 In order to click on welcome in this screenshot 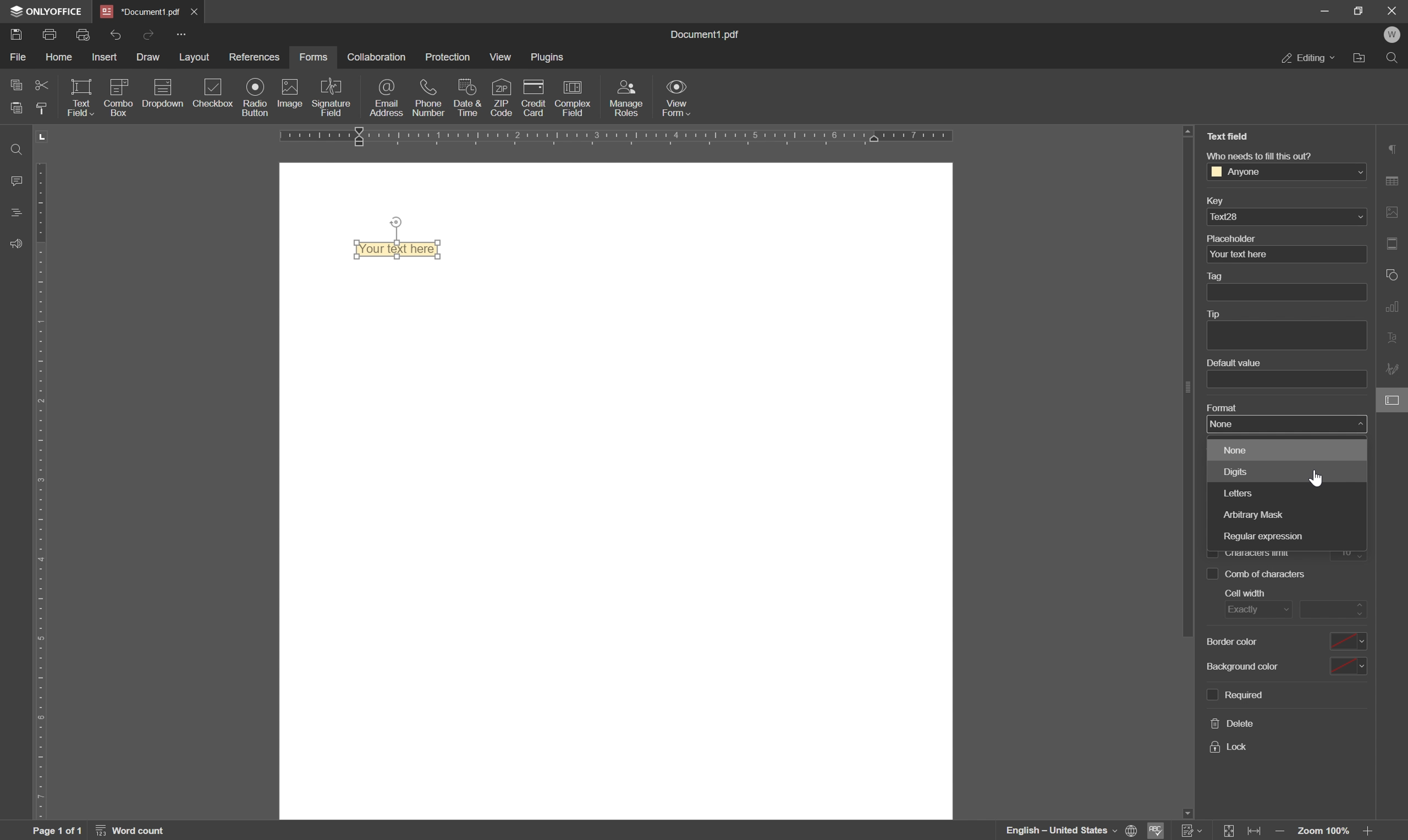, I will do `click(1393, 35)`.